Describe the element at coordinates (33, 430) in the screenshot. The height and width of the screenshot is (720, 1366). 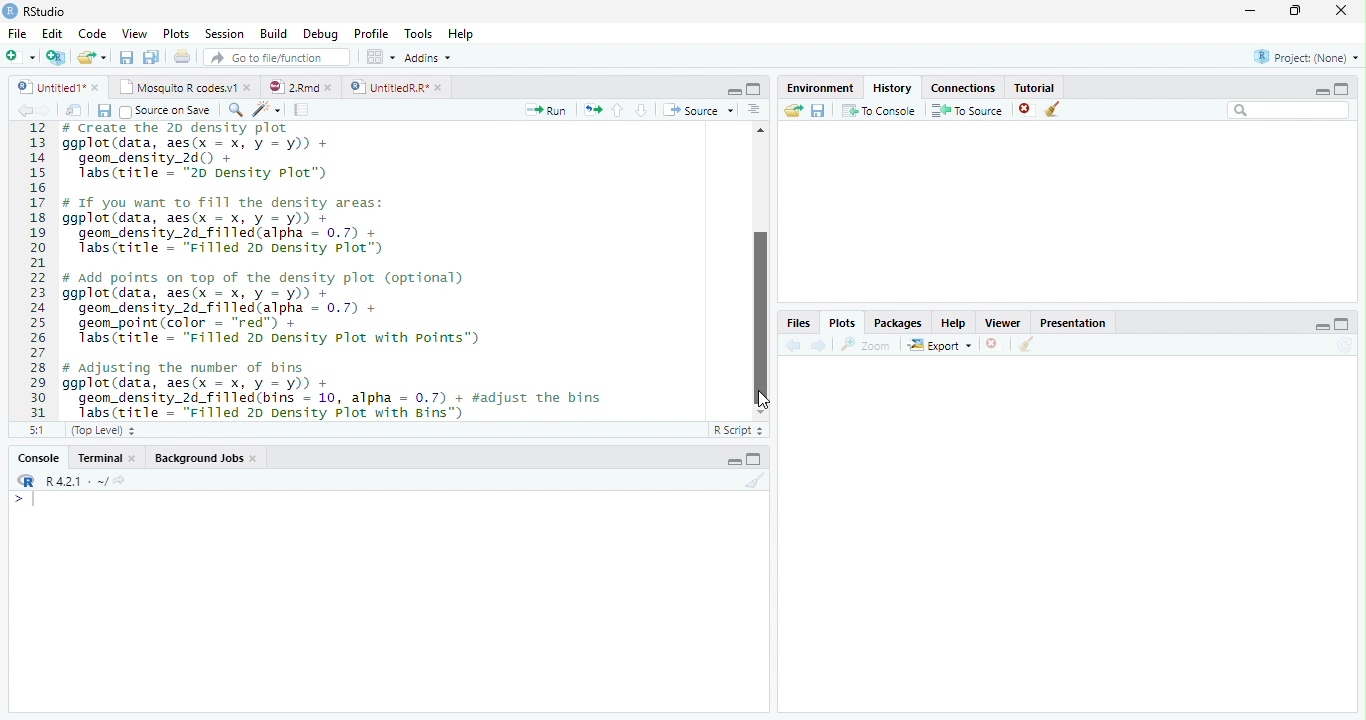
I see `5:1` at that location.